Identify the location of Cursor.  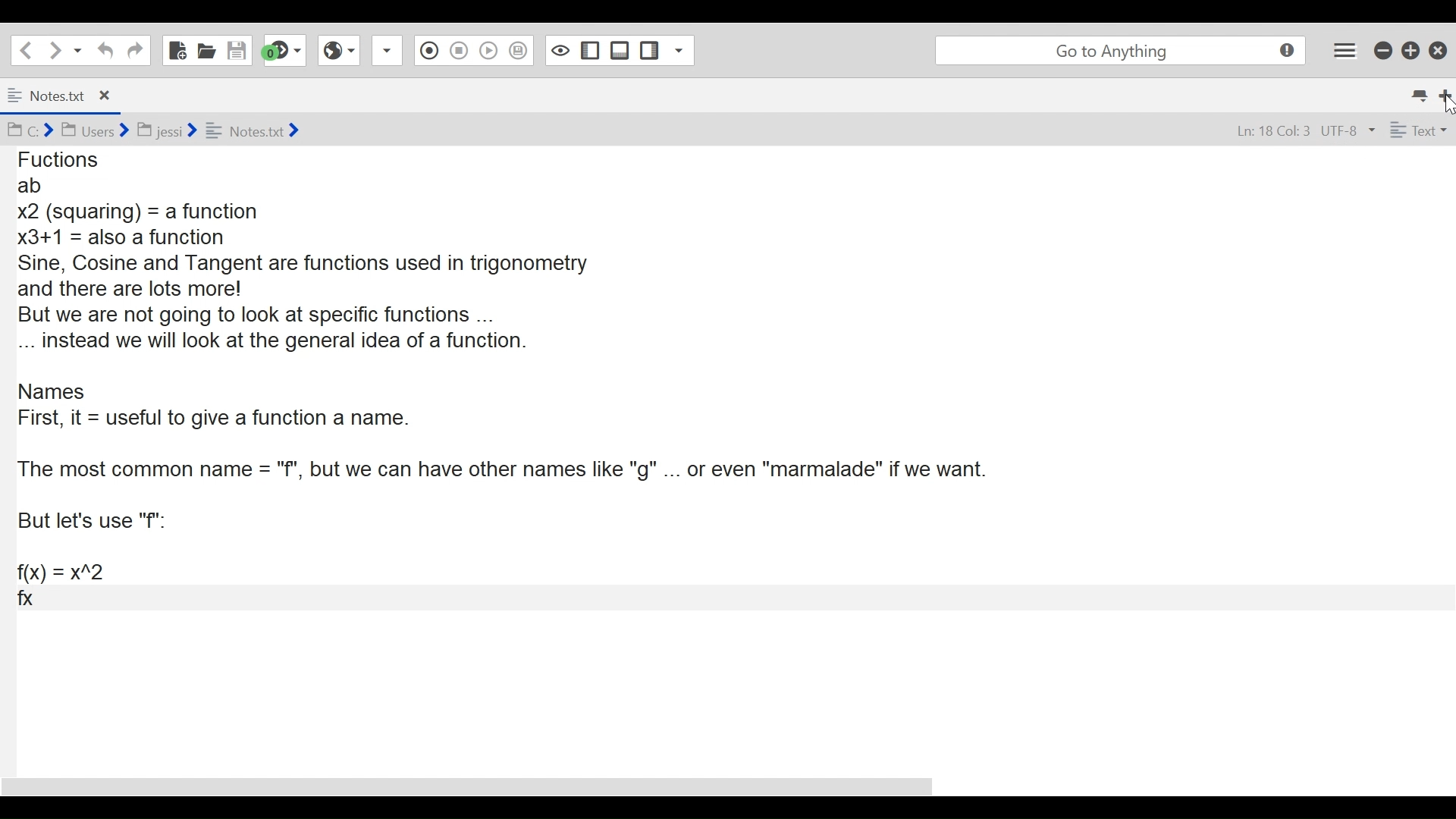
(1446, 106).